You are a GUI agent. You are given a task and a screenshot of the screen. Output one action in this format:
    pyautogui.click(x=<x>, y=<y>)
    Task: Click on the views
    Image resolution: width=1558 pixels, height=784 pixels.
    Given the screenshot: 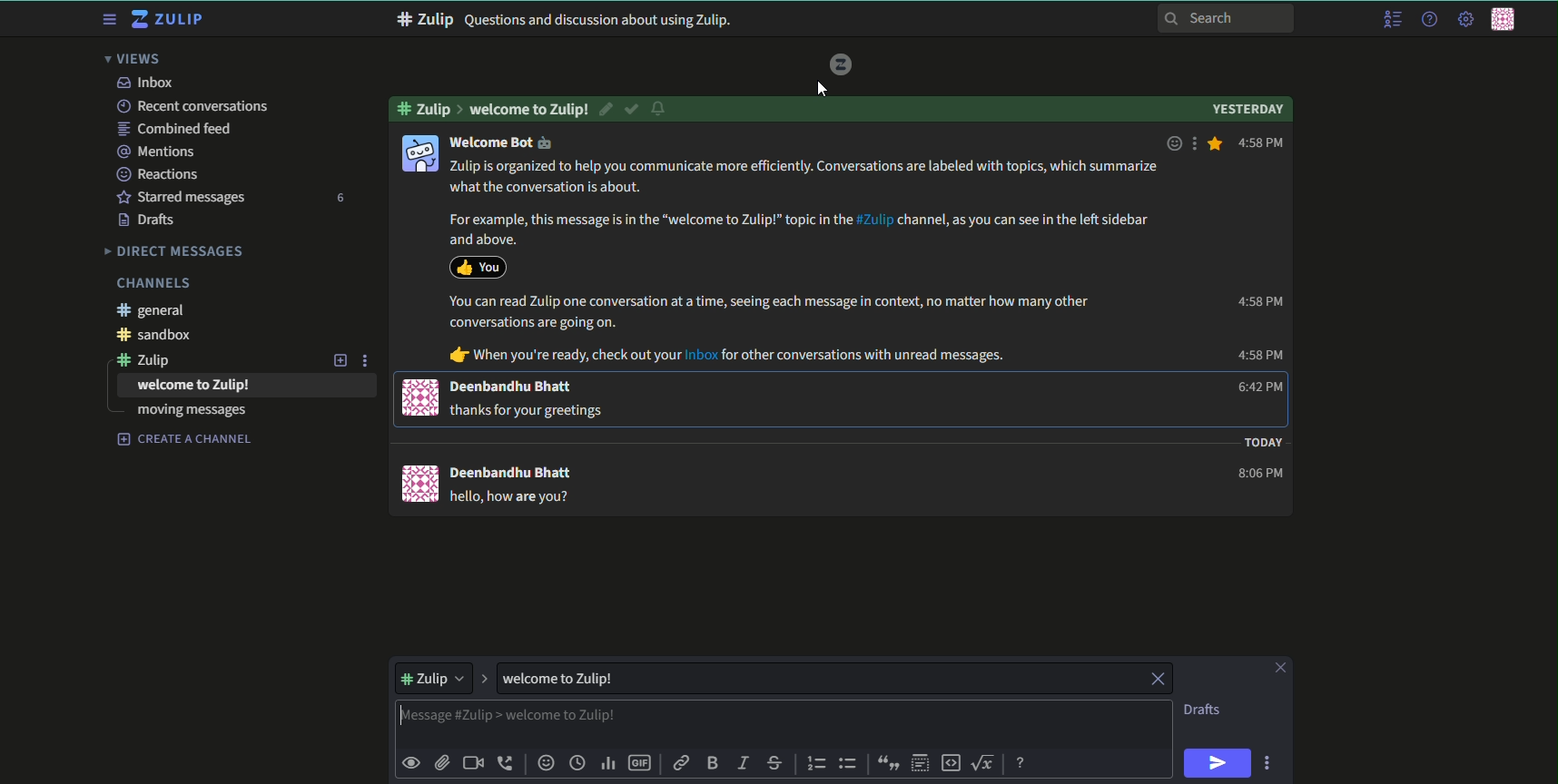 What is the action you would take?
    pyautogui.click(x=138, y=59)
    